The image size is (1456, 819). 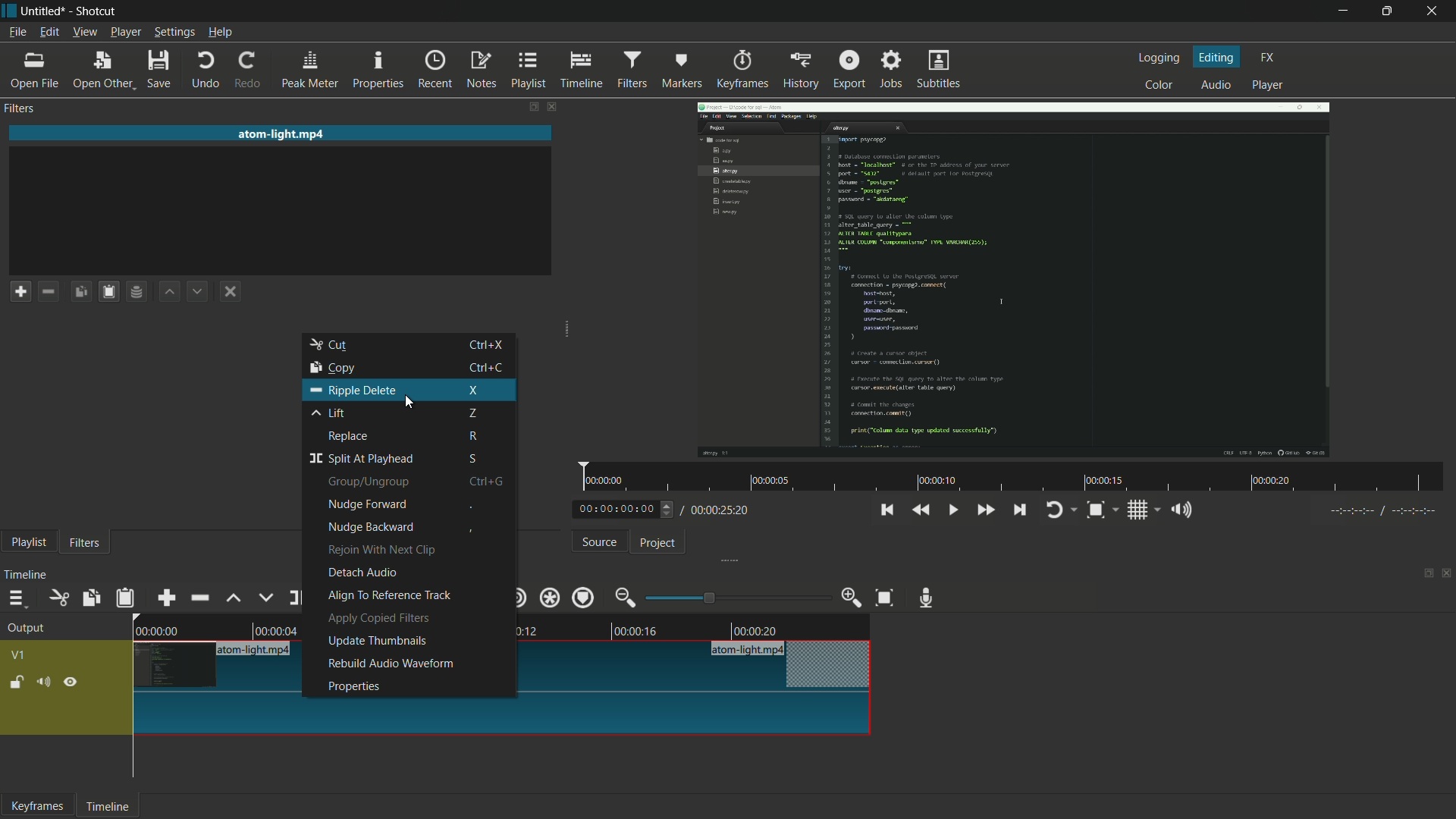 What do you see at coordinates (732, 598) in the screenshot?
I see `adjustment bar` at bounding box center [732, 598].